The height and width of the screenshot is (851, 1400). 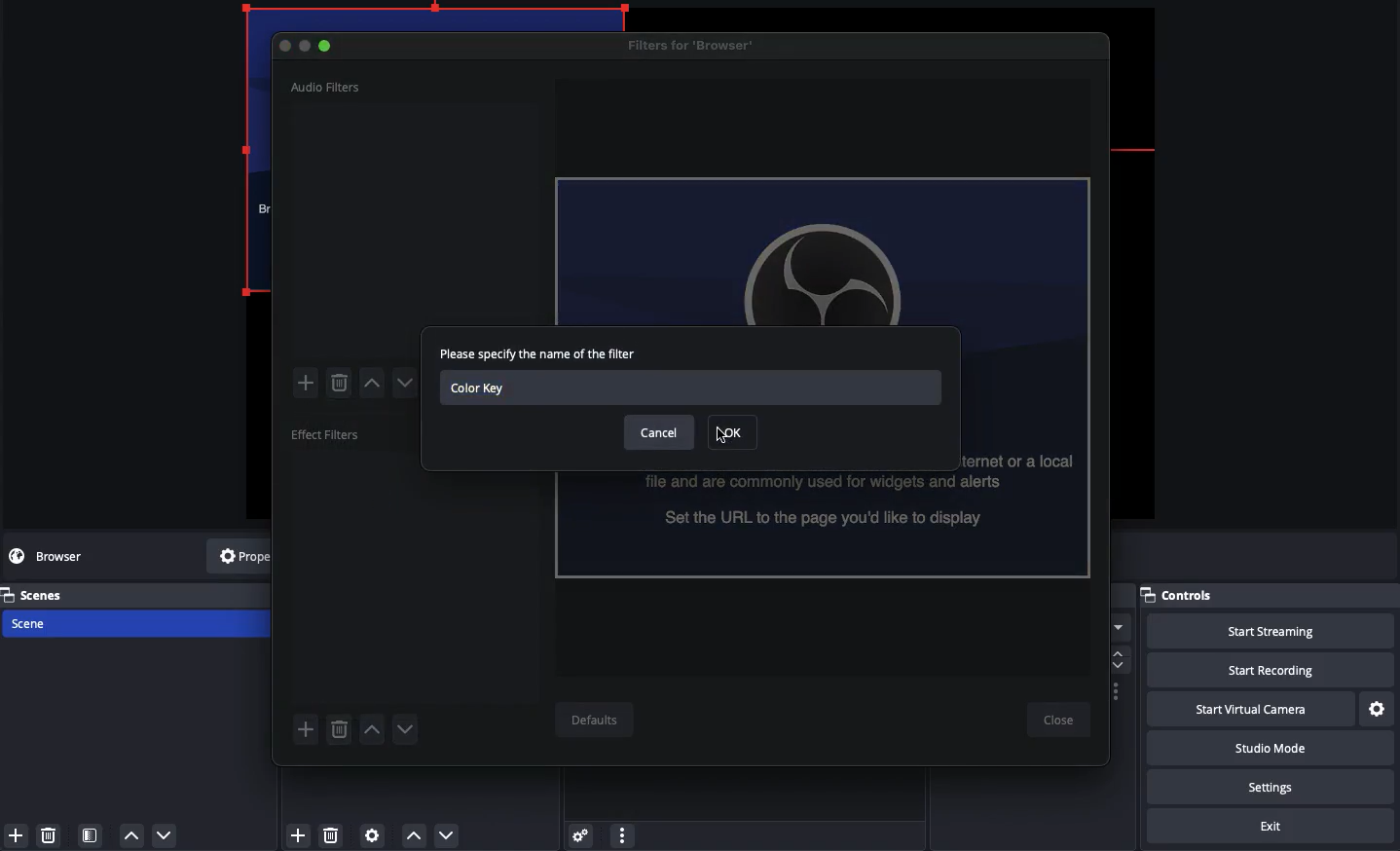 What do you see at coordinates (287, 45) in the screenshot?
I see `Close` at bounding box center [287, 45].